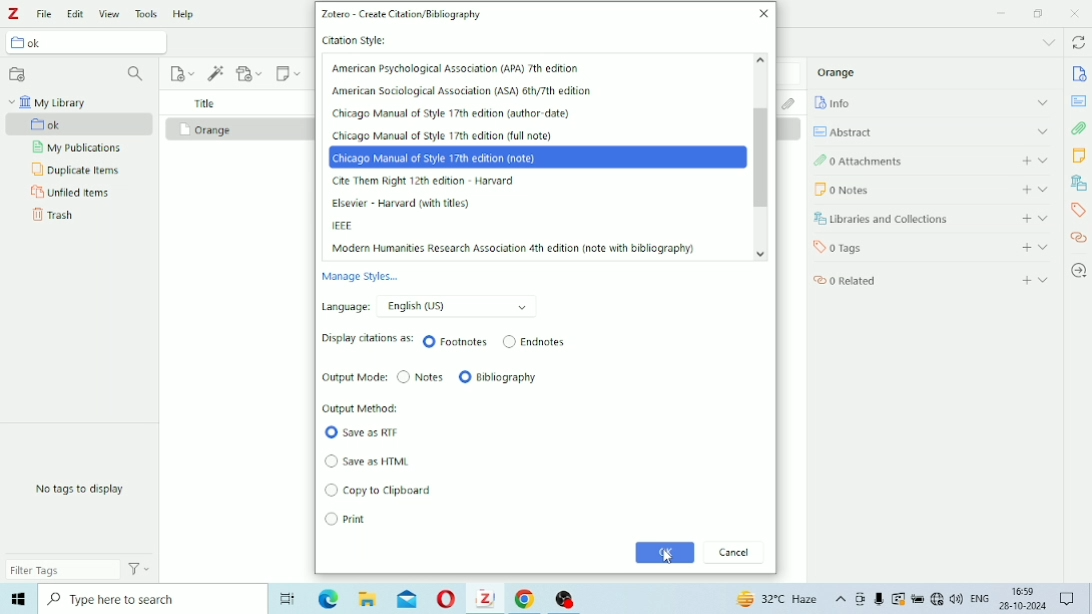  What do you see at coordinates (456, 342) in the screenshot?
I see `Footnotes` at bounding box center [456, 342].